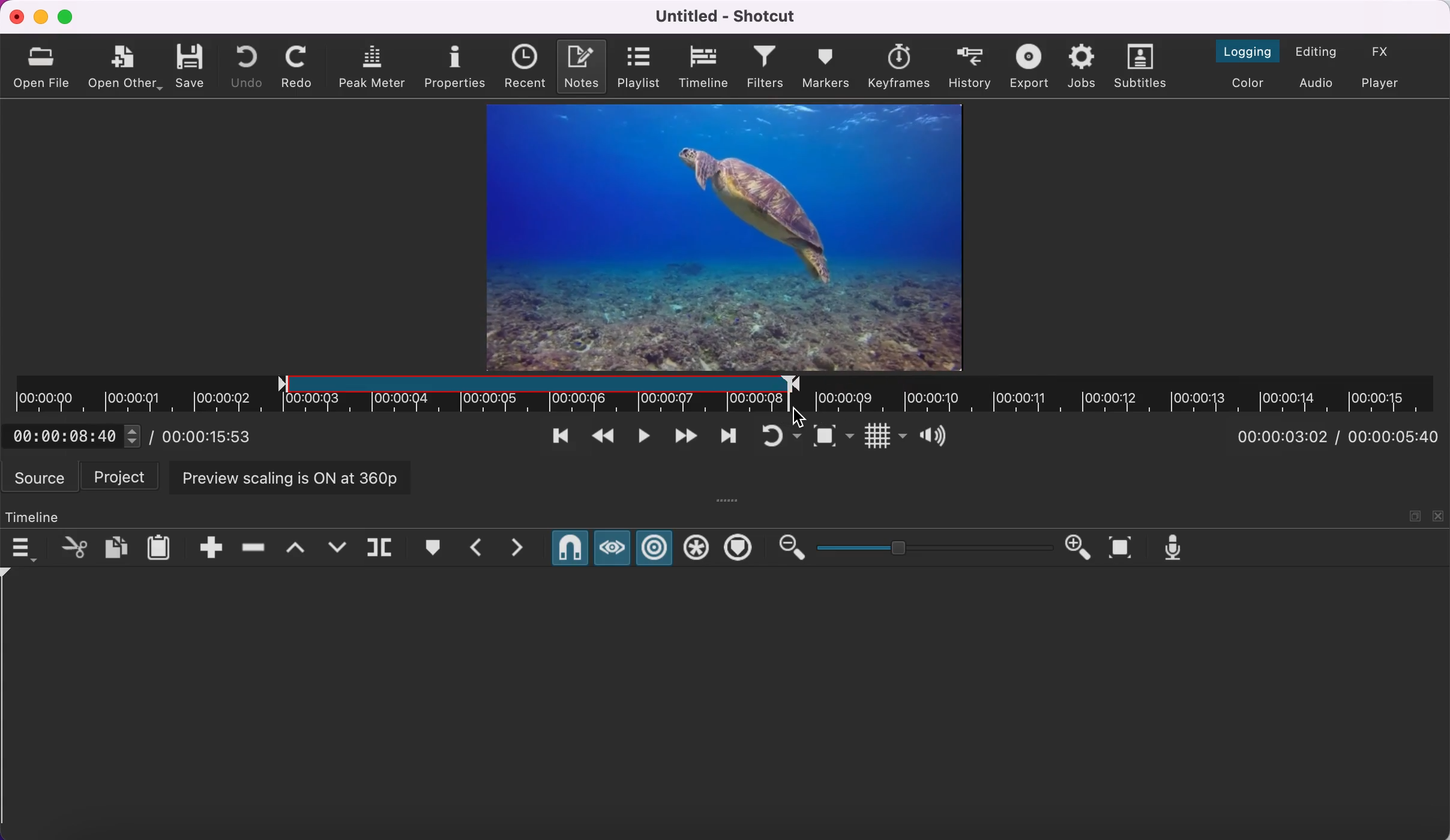  I want to click on switch to the editing layout, so click(1320, 51).